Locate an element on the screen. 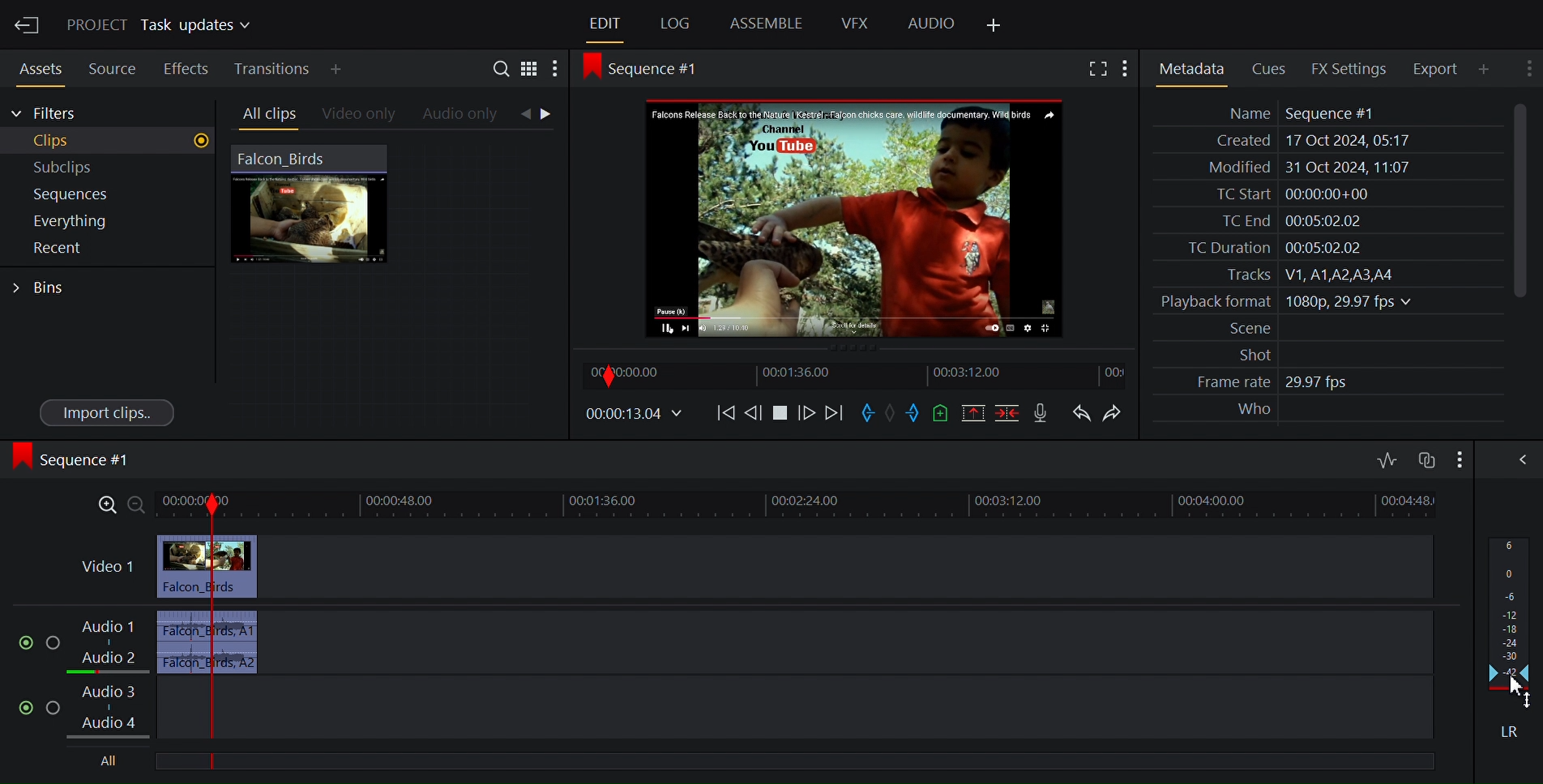 Image resolution: width=1543 pixels, height=784 pixels. Nudge one frame forward is located at coordinates (808, 413).